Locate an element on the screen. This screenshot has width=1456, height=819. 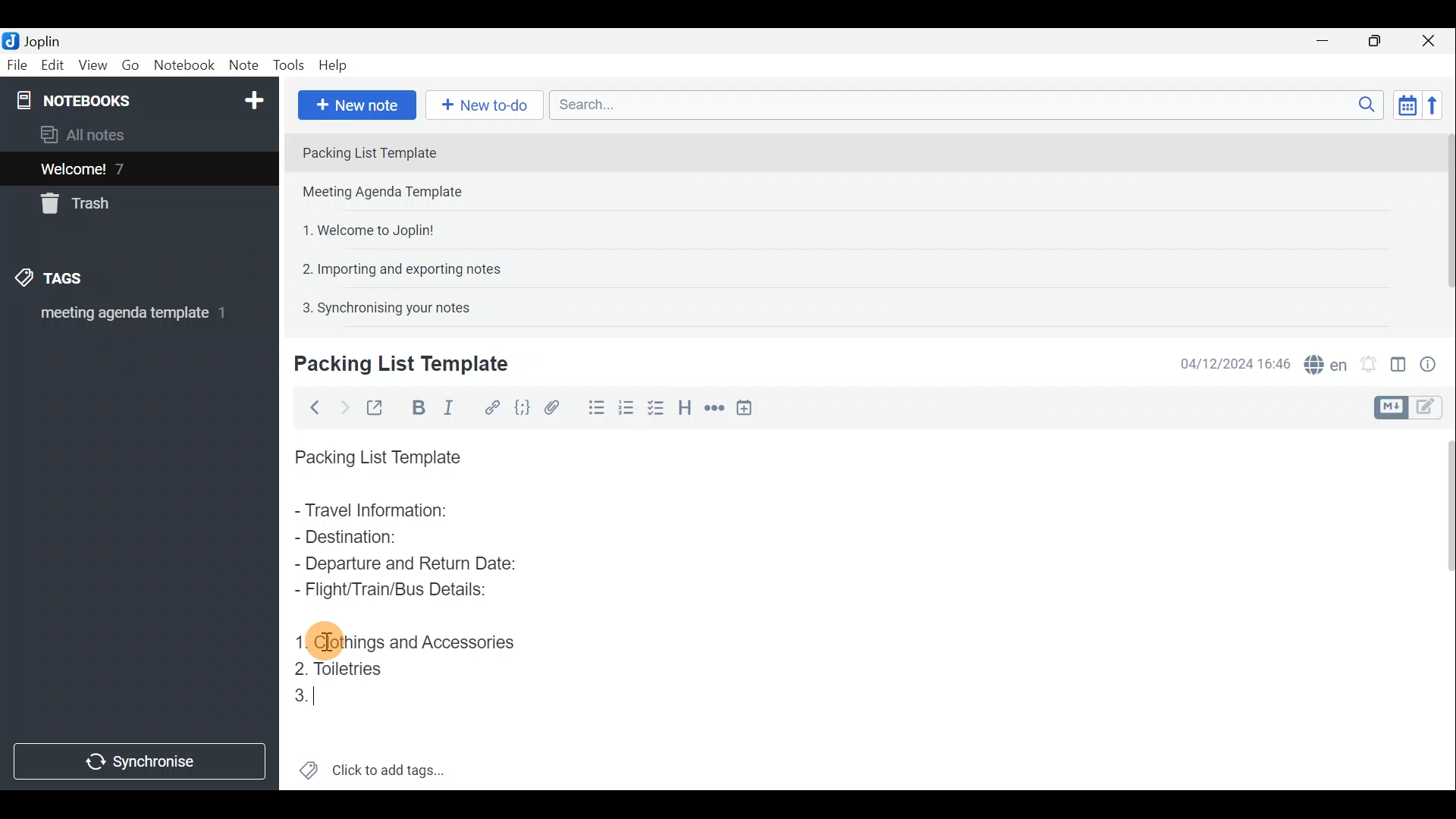
Note 2 is located at coordinates (397, 193).